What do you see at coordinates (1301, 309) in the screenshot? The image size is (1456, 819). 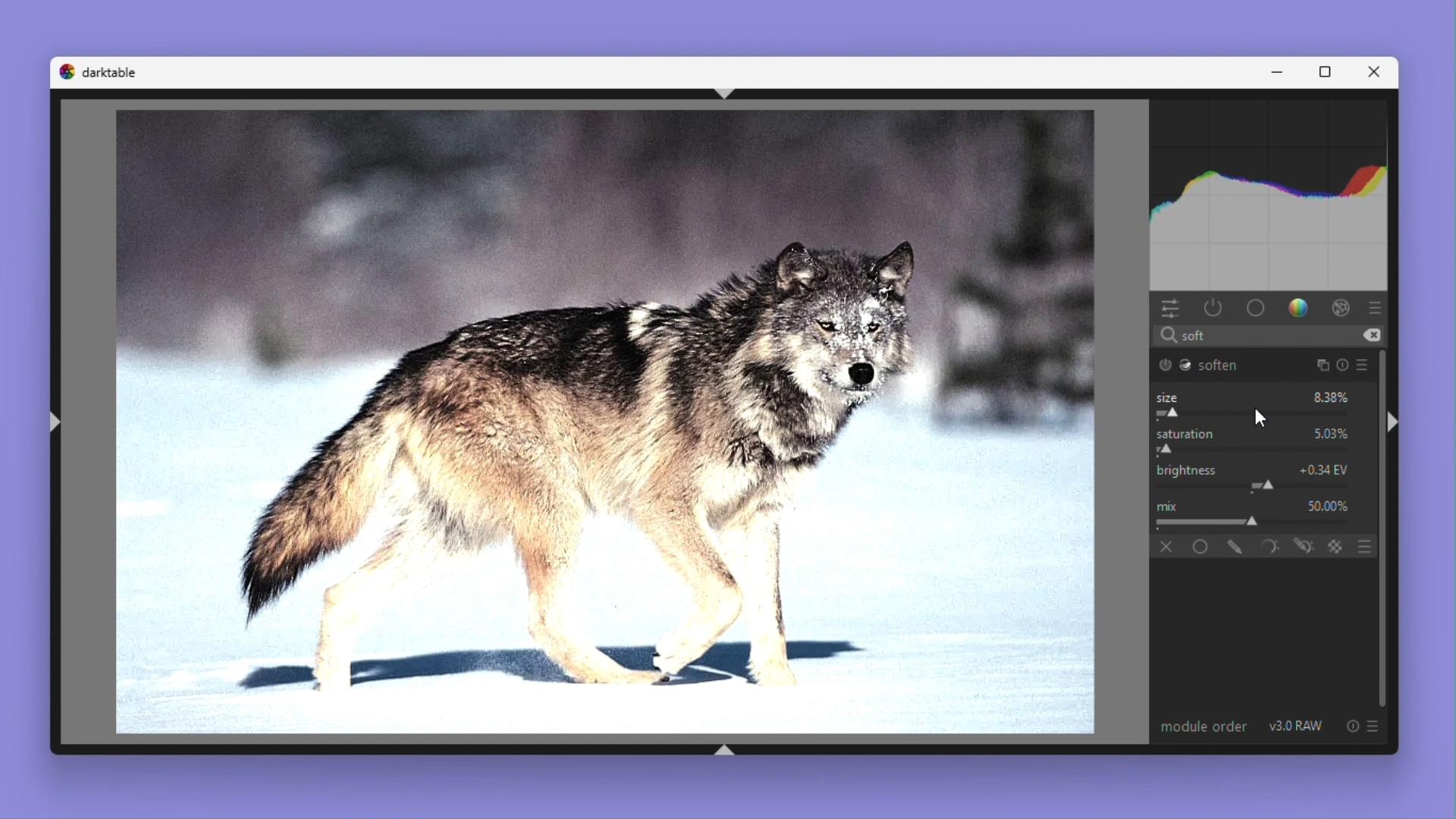 I see `Colour ` at bounding box center [1301, 309].